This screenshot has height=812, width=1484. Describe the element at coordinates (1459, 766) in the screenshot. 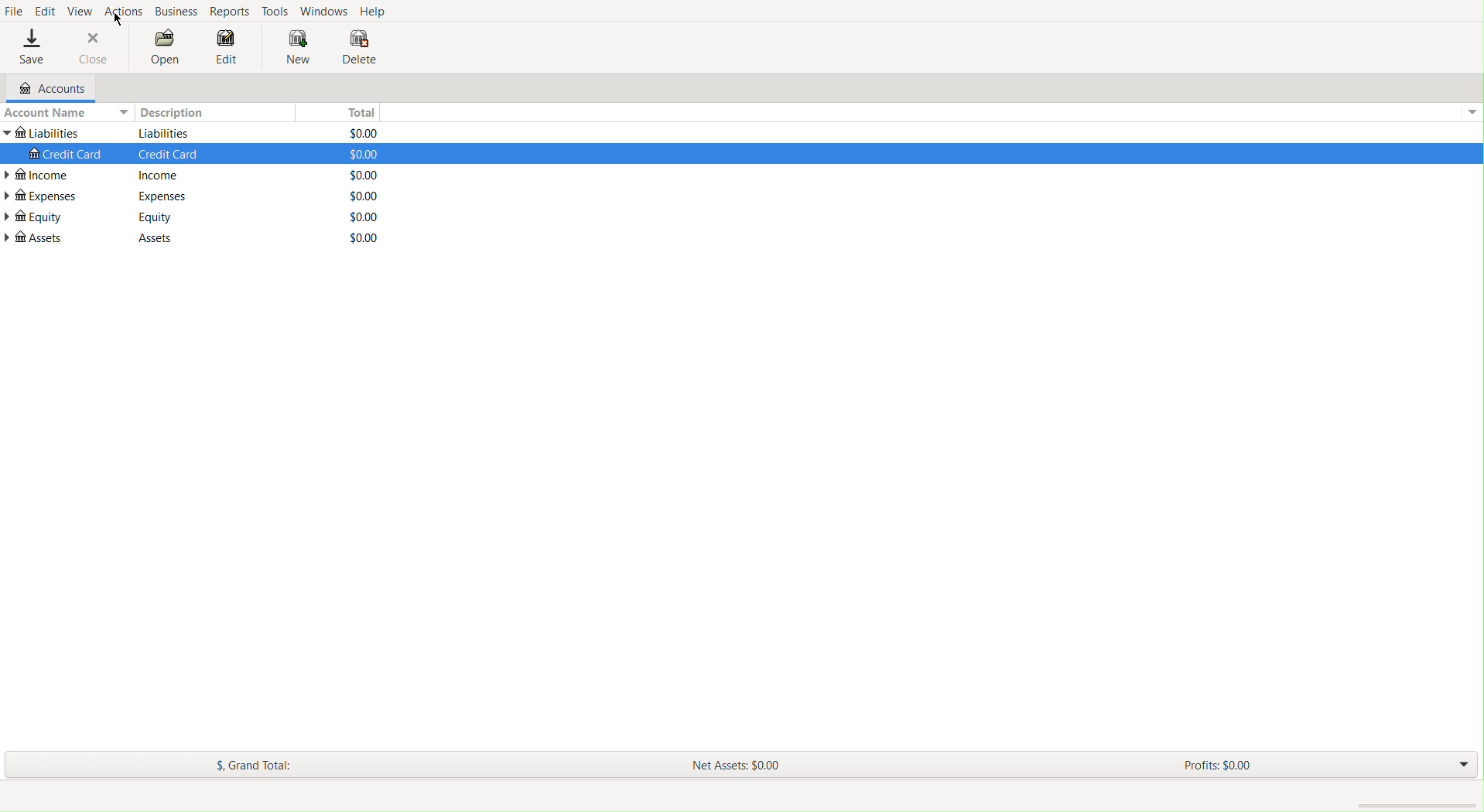

I see `Drop Down` at that location.